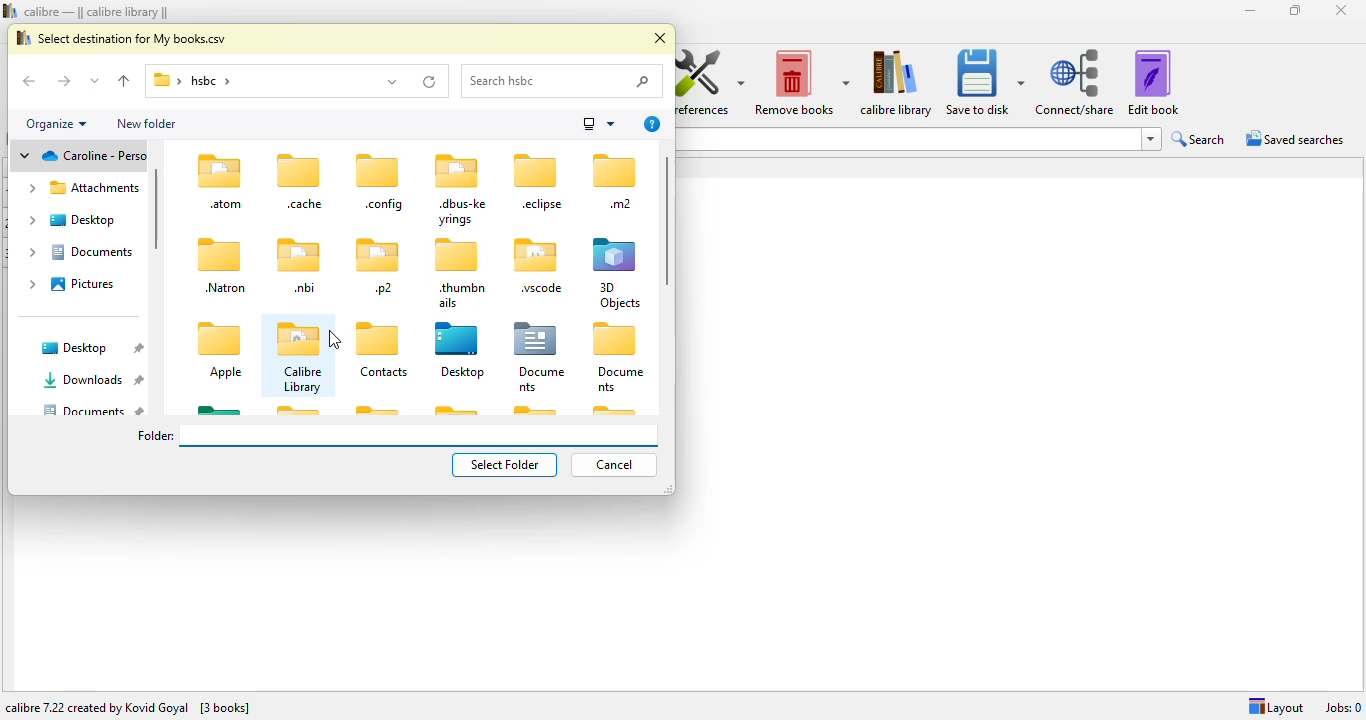 The image size is (1366, 720). Describe the element at coordinates (616, 464) in the screenshot. I see `cancel` at that location.